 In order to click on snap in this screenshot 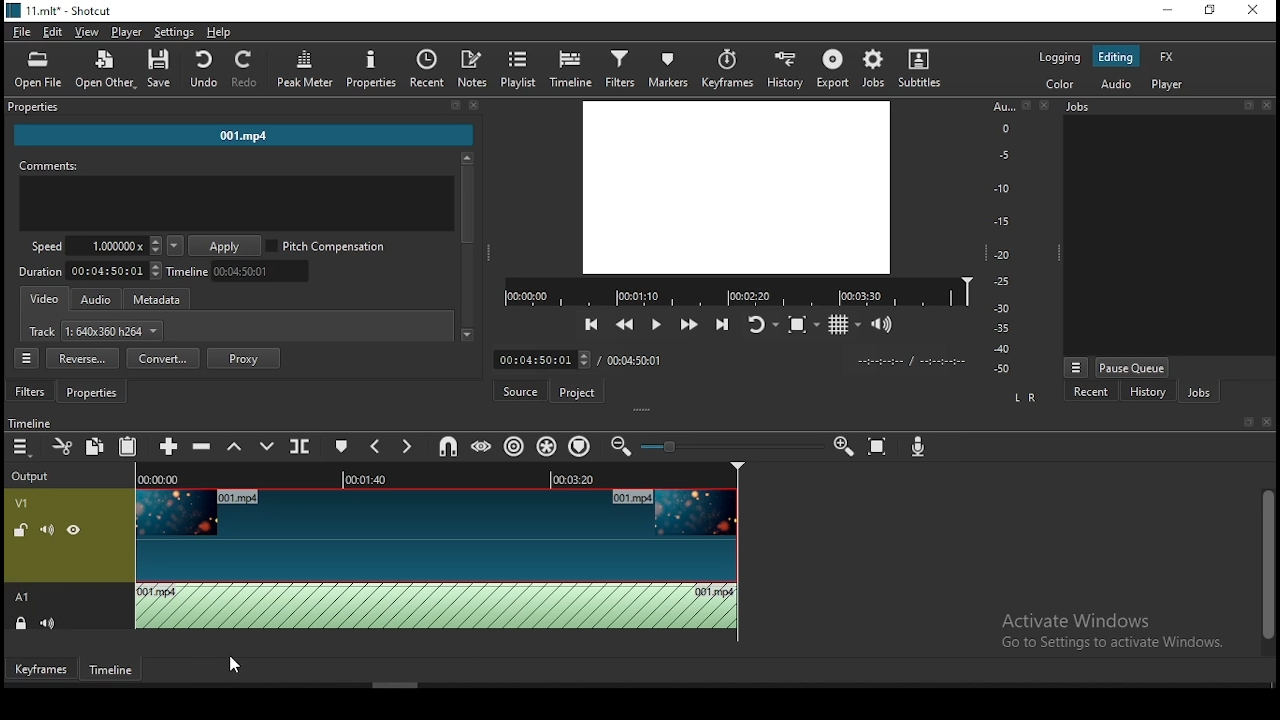, I will do `click(443, 447)`.